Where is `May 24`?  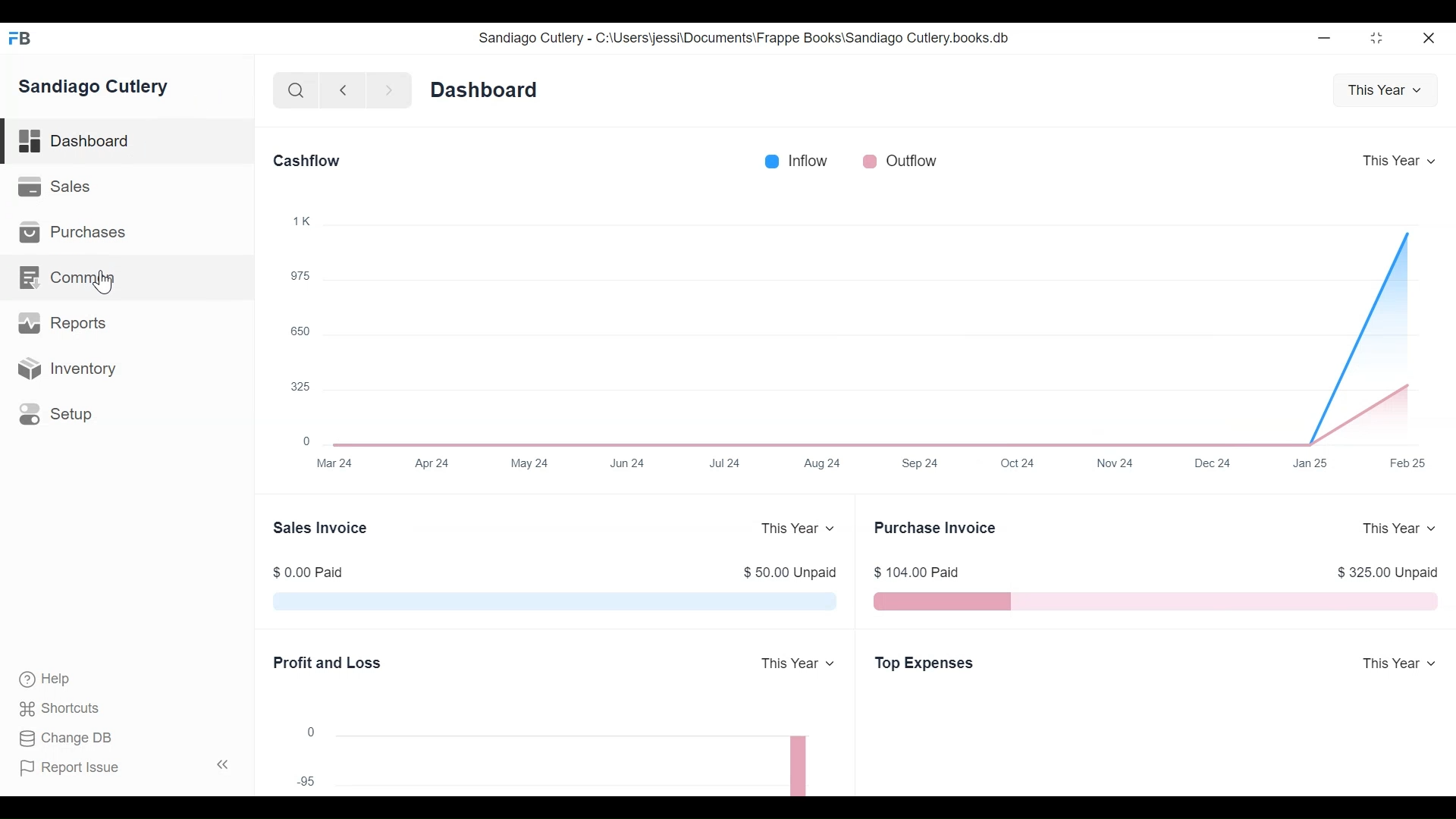
May 24 is located at coordinates (531, 463).